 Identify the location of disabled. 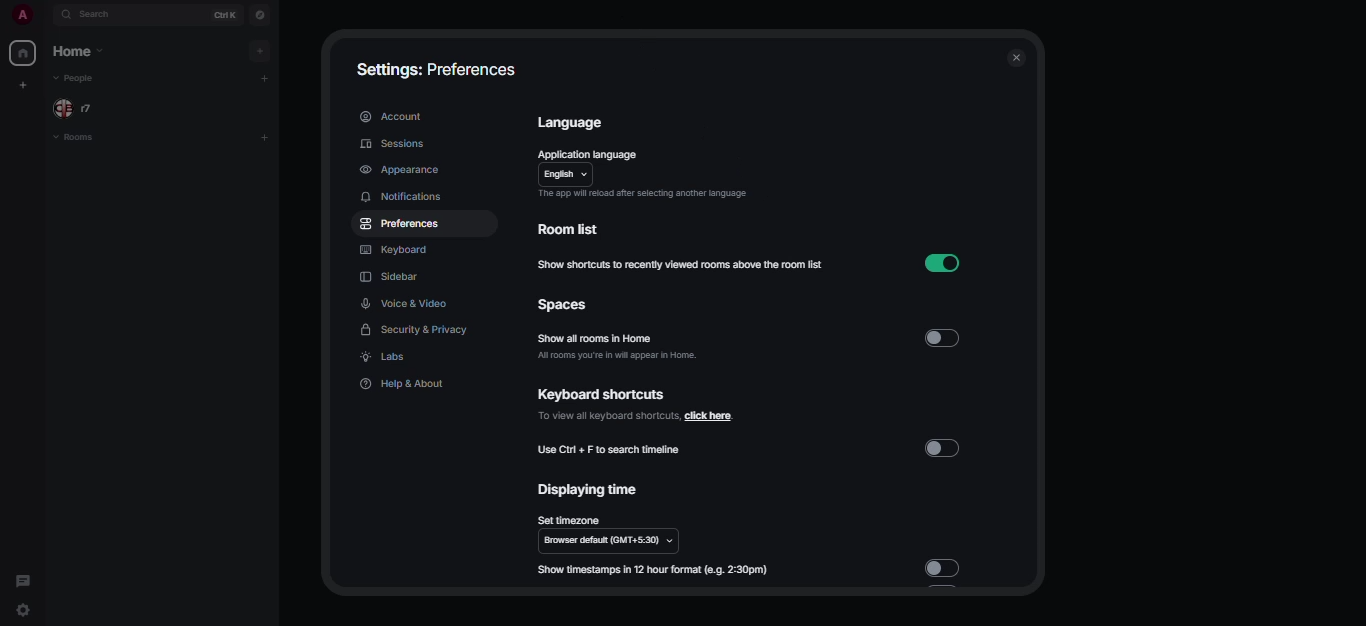
(945, 447).